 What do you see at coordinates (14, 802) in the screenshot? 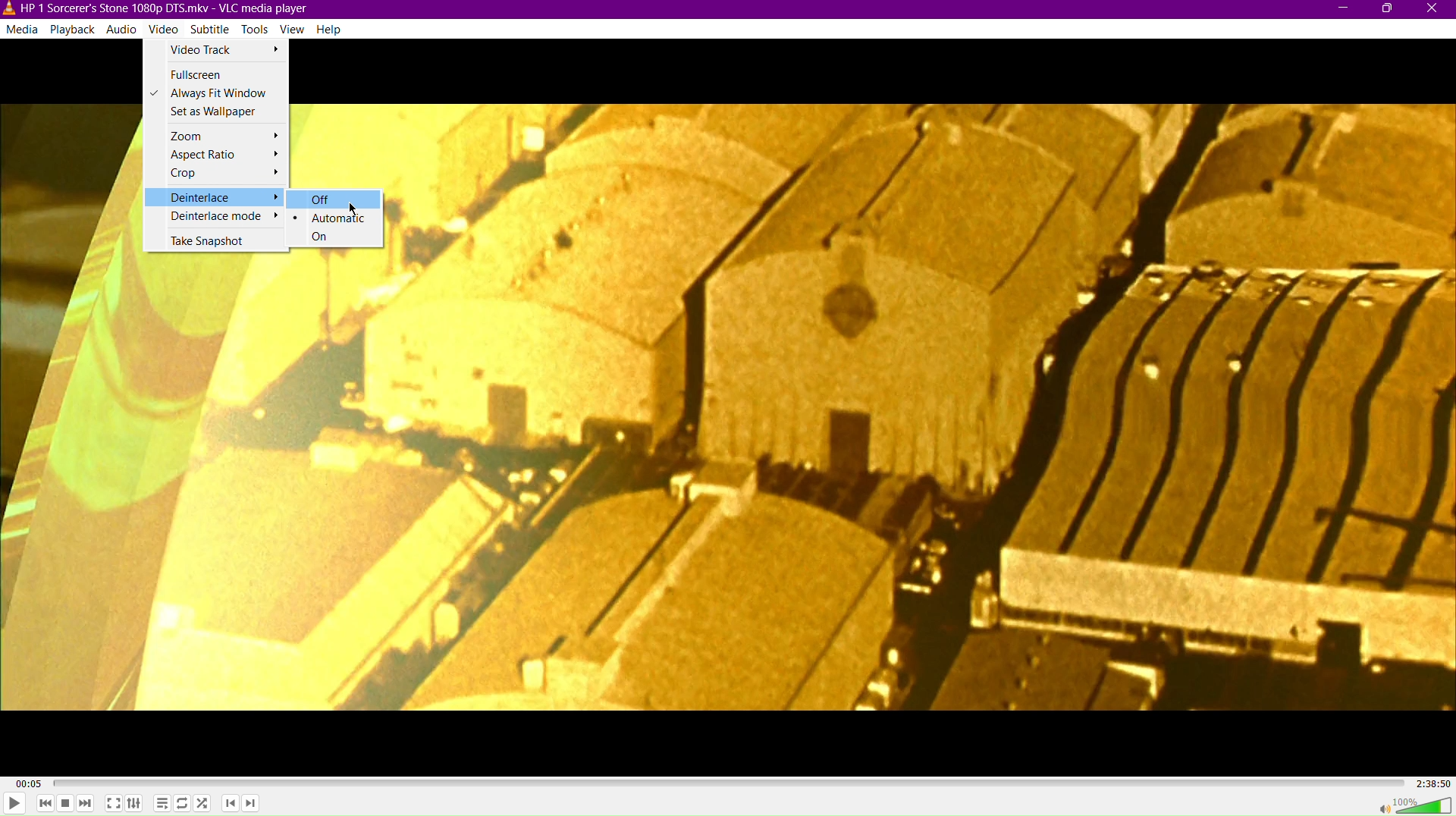
I see `Play` at bounding box center [14, 802].